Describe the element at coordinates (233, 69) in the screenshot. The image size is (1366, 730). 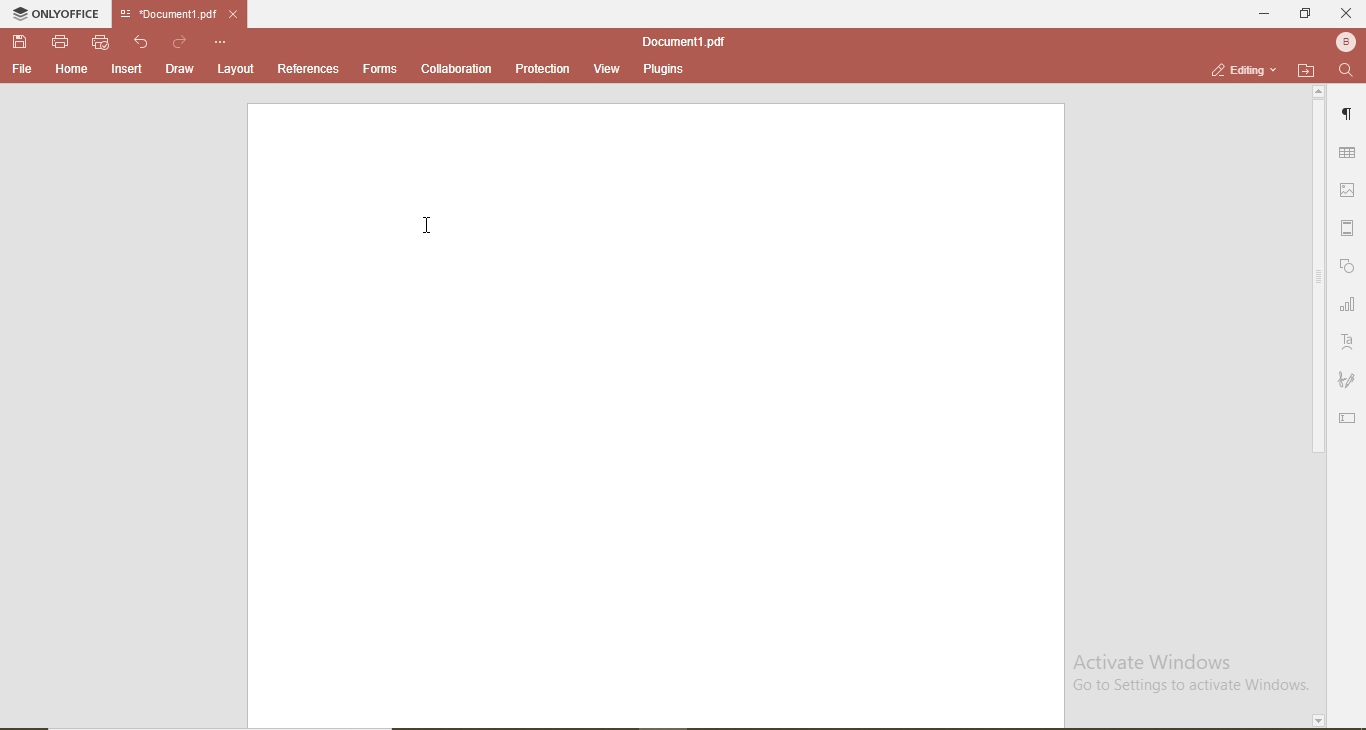
I see `layout` at that location.